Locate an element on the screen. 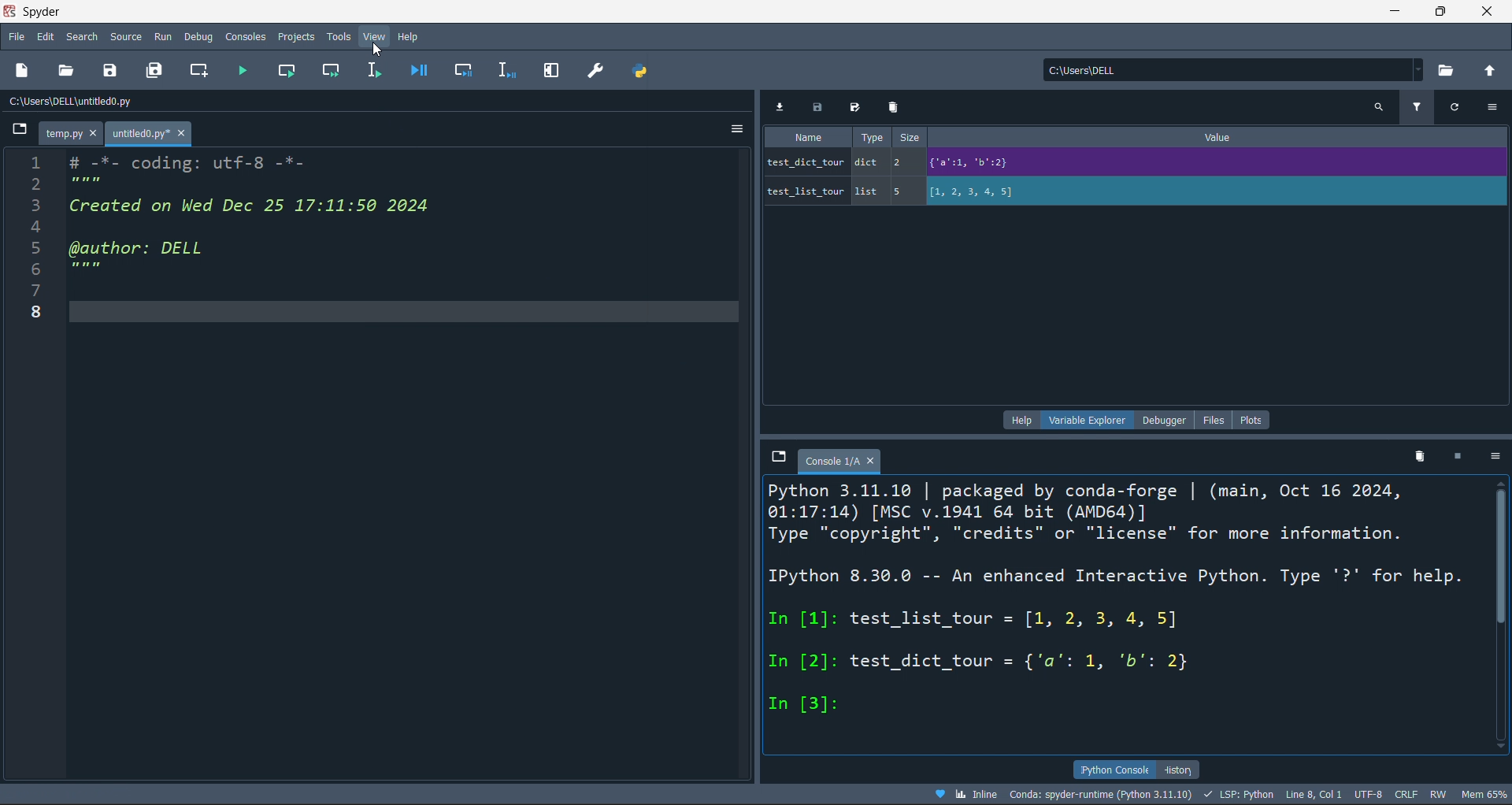  edit is located at coordinates (44, 35).